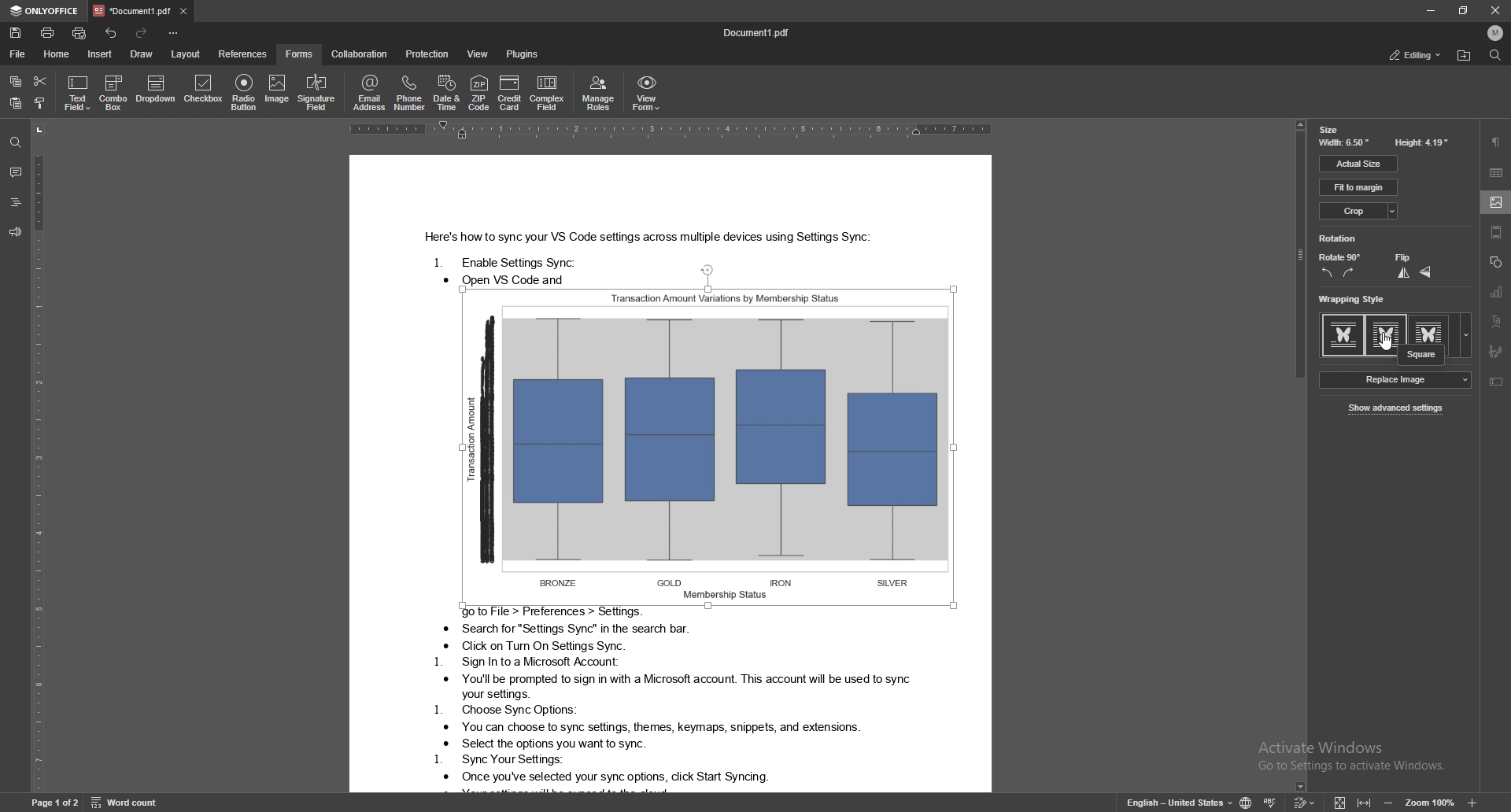 The image size is (1511, 812). What do you see at coordinates (708, 445) in the screenshot?
I see `image selected` at bounding box center [708, 445].